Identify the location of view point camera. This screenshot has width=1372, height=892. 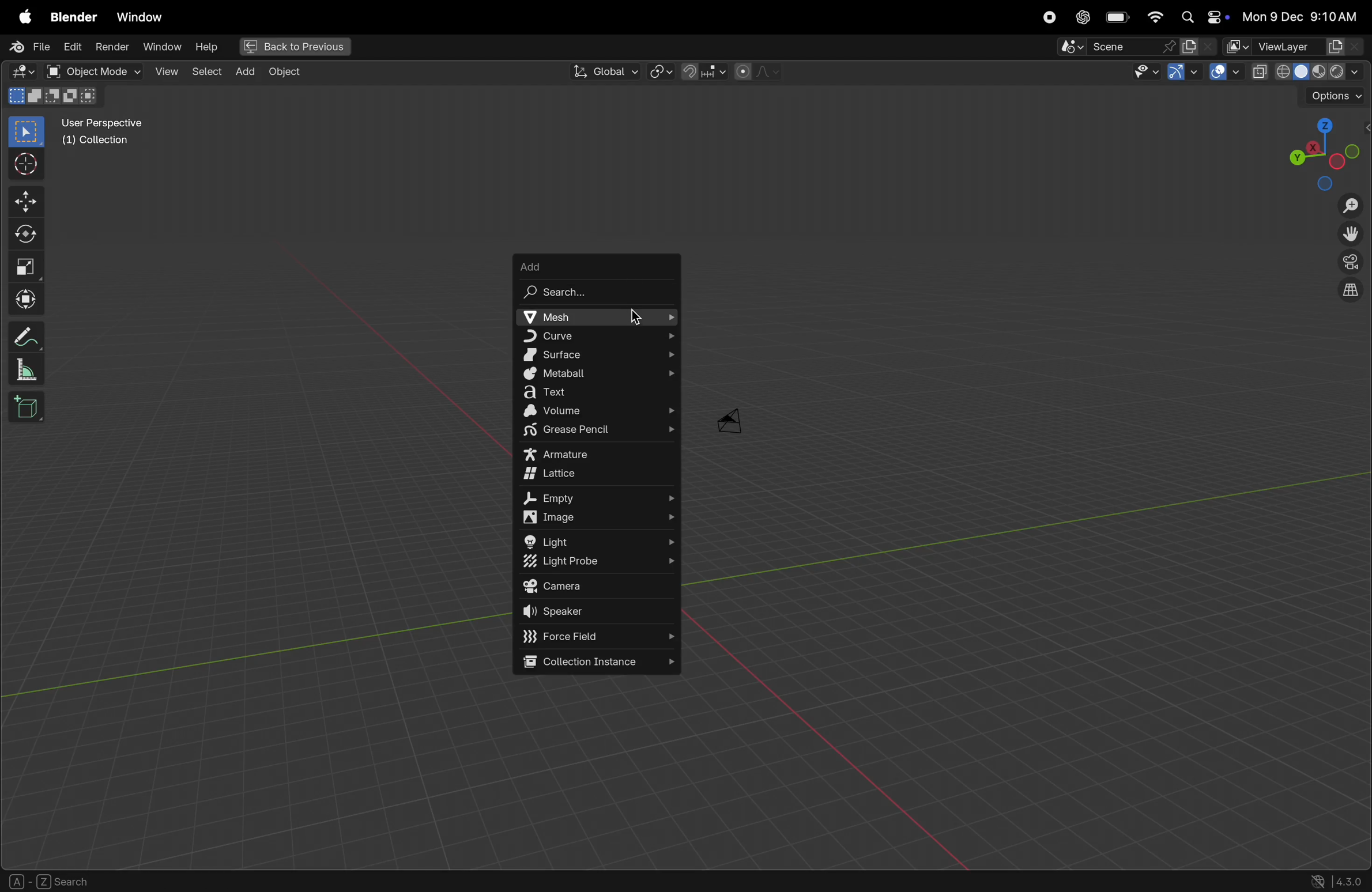
(1351, 263).